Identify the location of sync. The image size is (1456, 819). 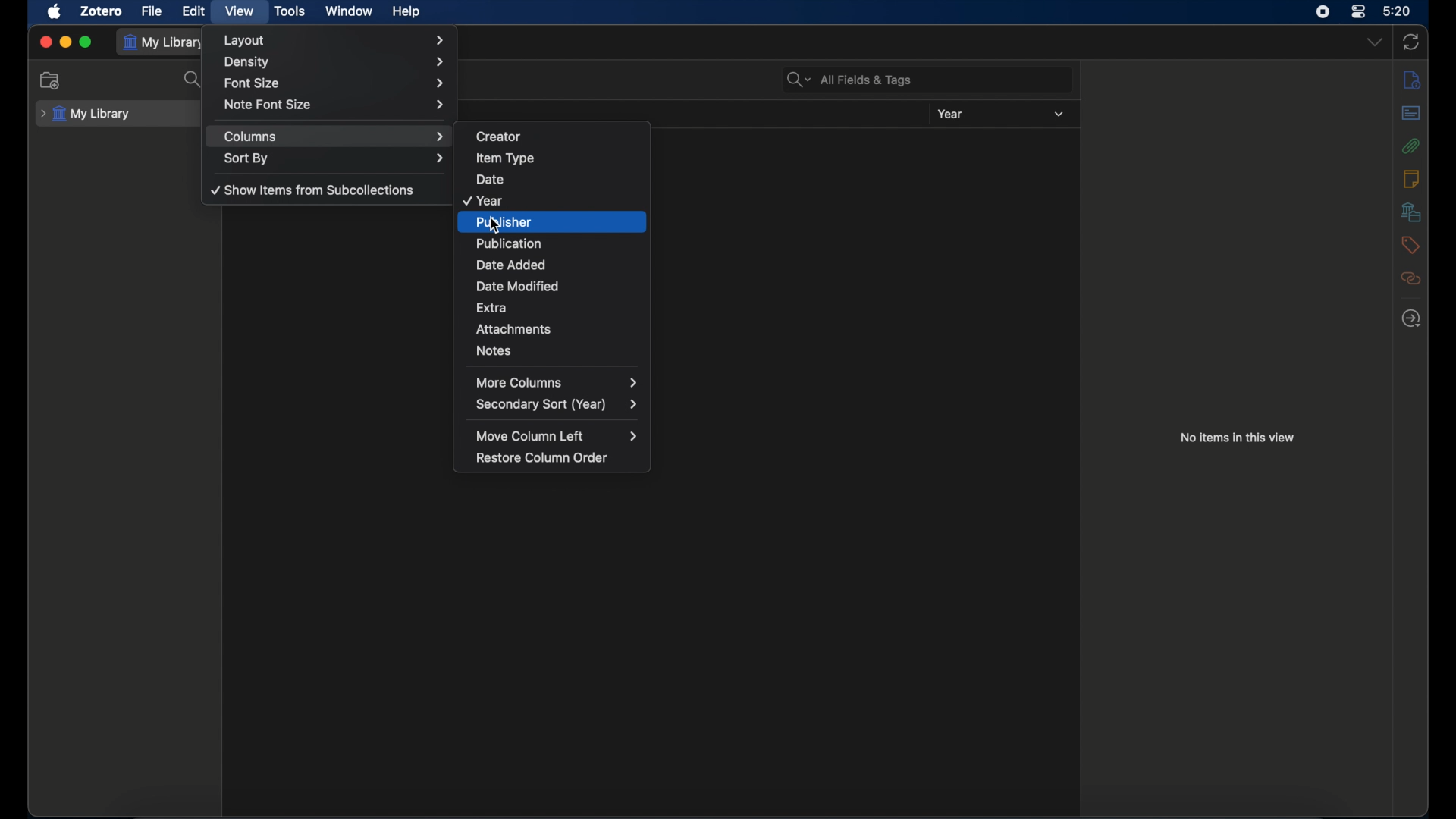
(1410, 42).